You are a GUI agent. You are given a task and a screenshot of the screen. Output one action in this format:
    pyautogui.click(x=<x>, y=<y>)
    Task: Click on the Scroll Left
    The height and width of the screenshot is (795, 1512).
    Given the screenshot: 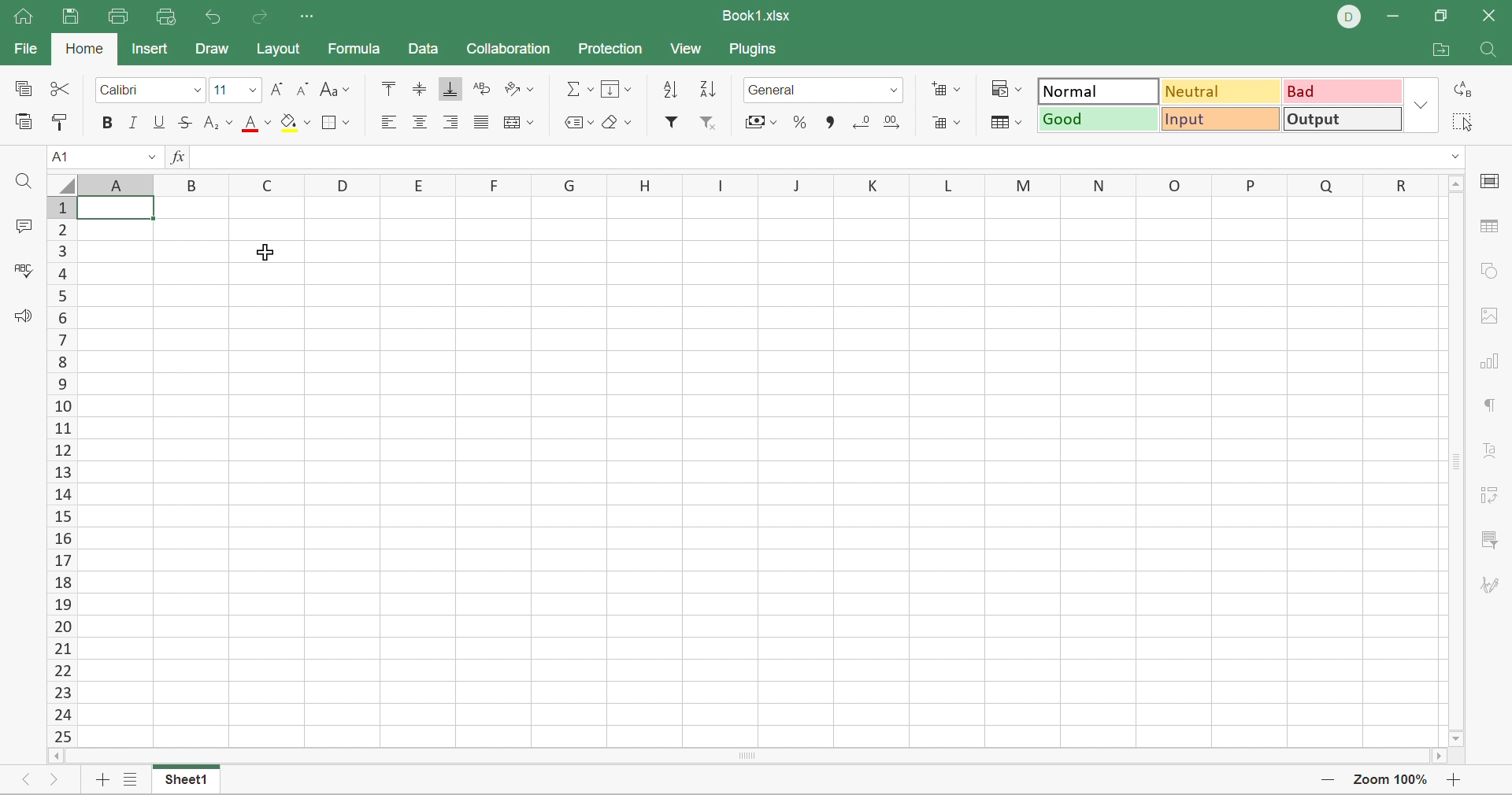 What is the action you would take?
    pyautogui.click(x=54, y=754)
    